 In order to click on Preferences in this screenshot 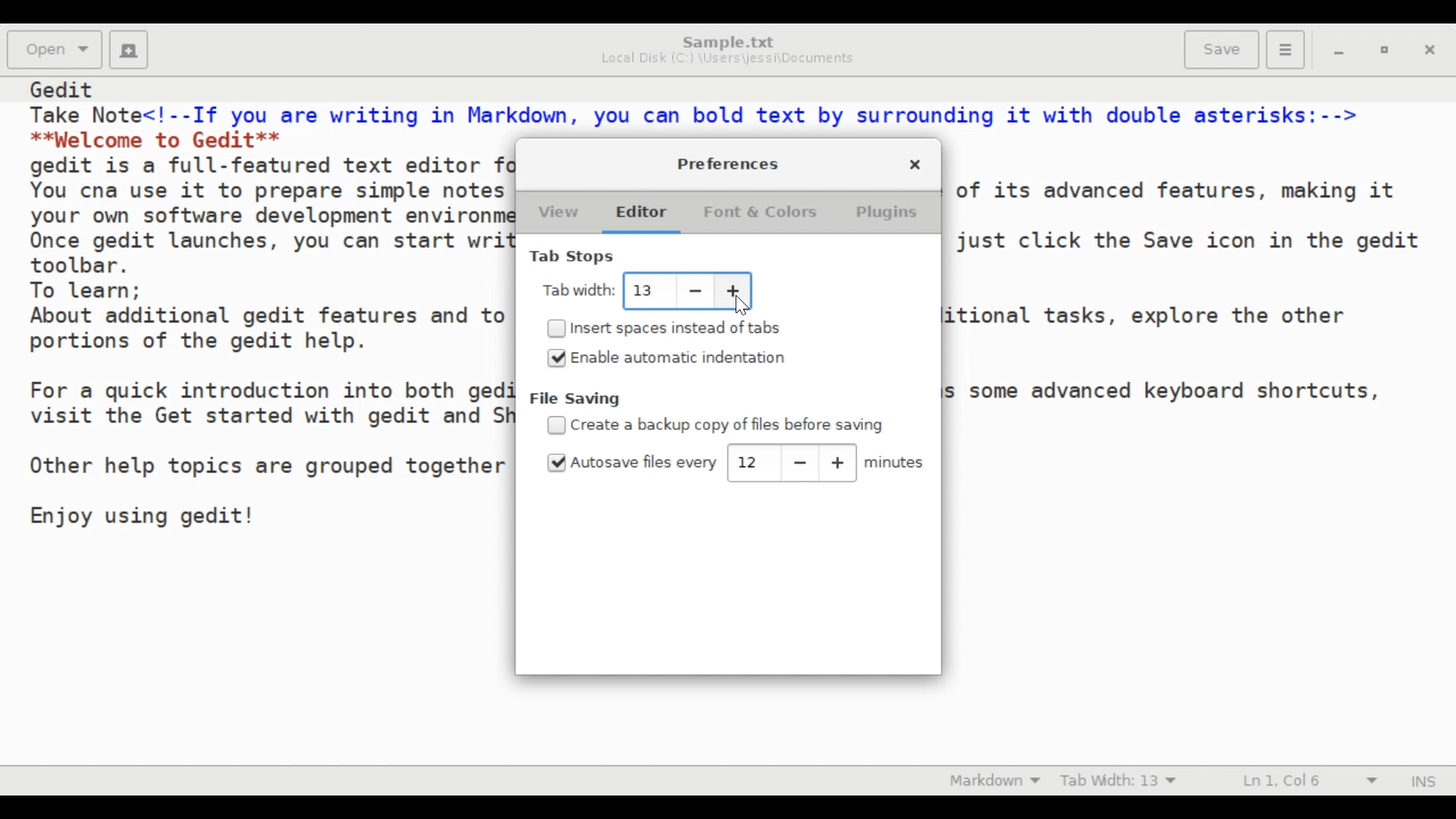, I will do `click(725, 165)`.